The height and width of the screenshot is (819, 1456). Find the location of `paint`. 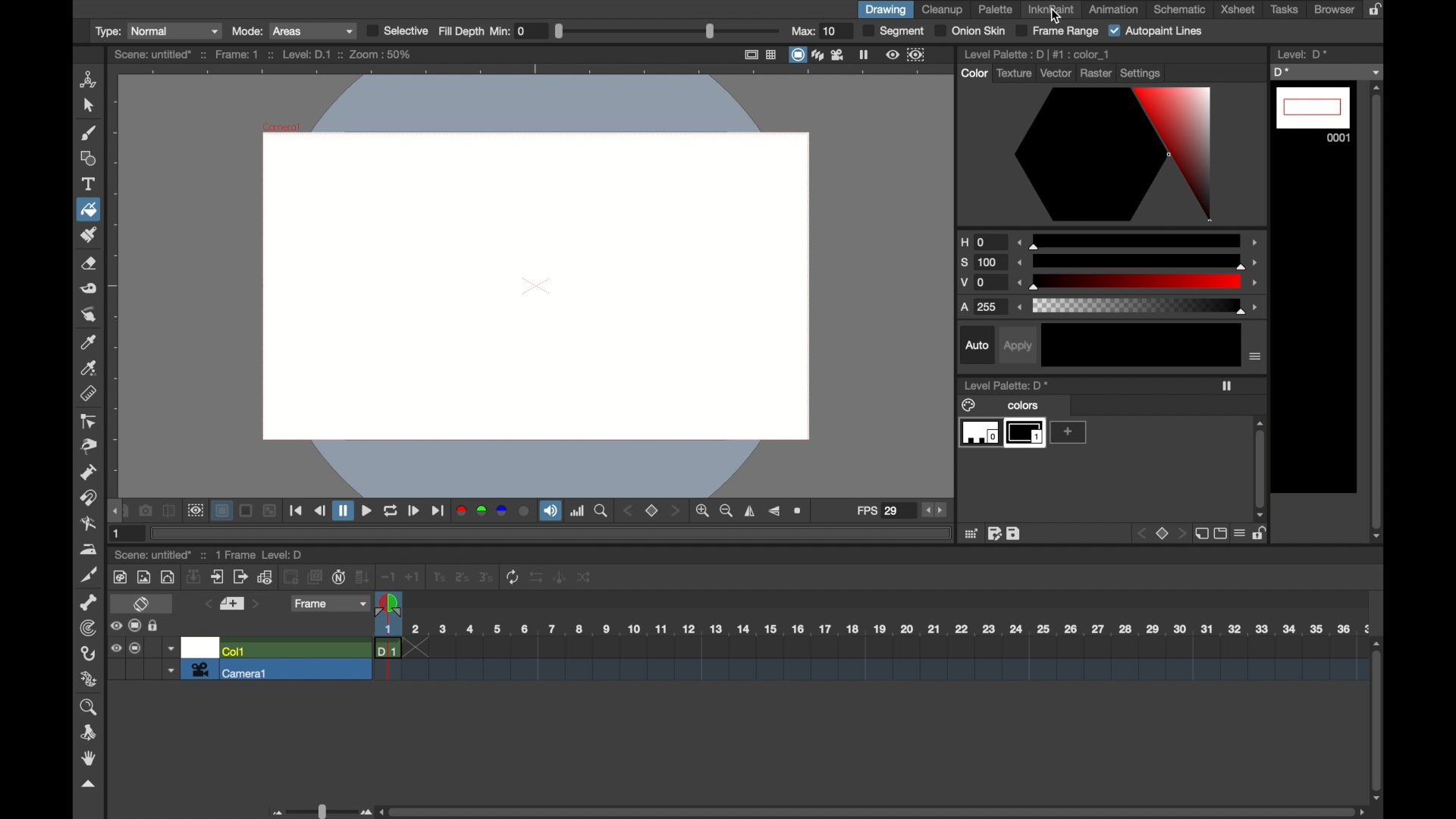

paint is located at coordinates (119, 577).